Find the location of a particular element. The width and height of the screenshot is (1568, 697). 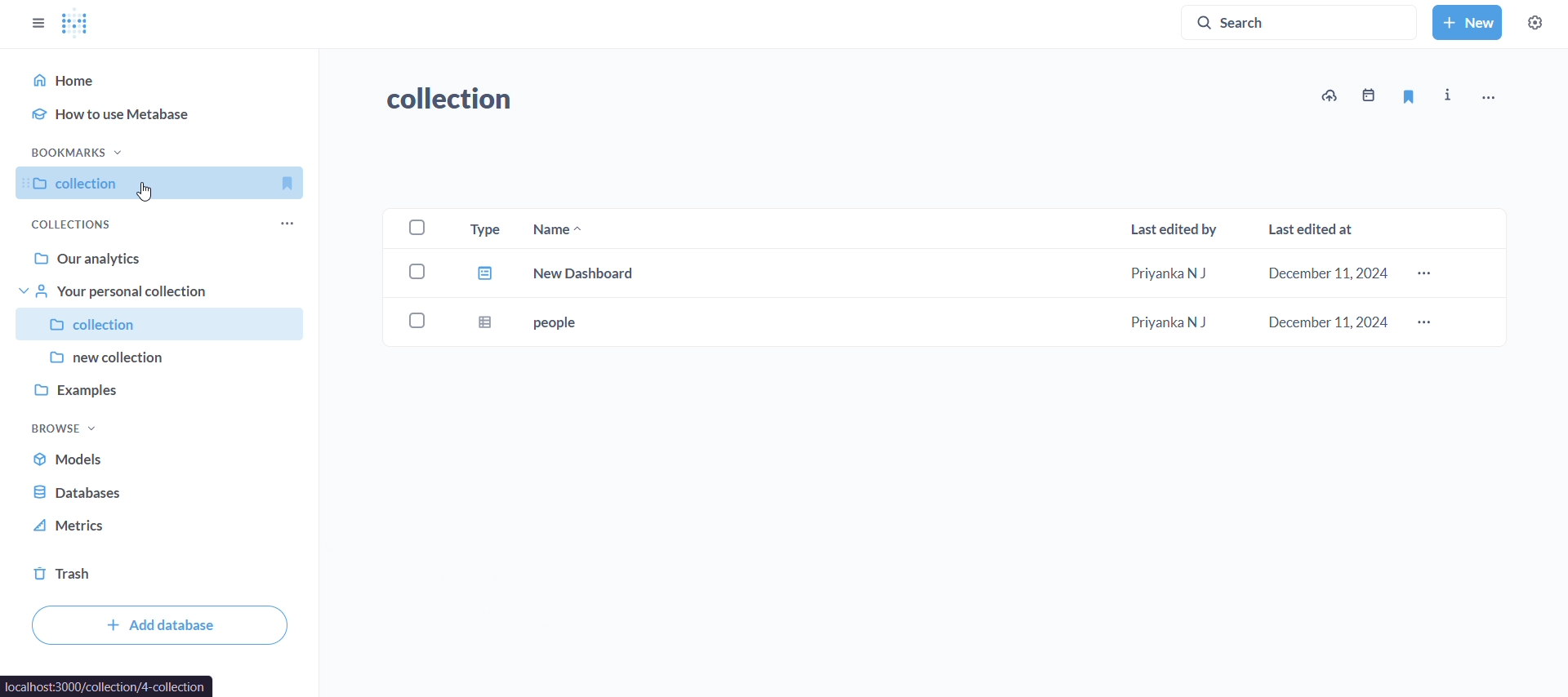

browse is located at coordinates (75, 428).